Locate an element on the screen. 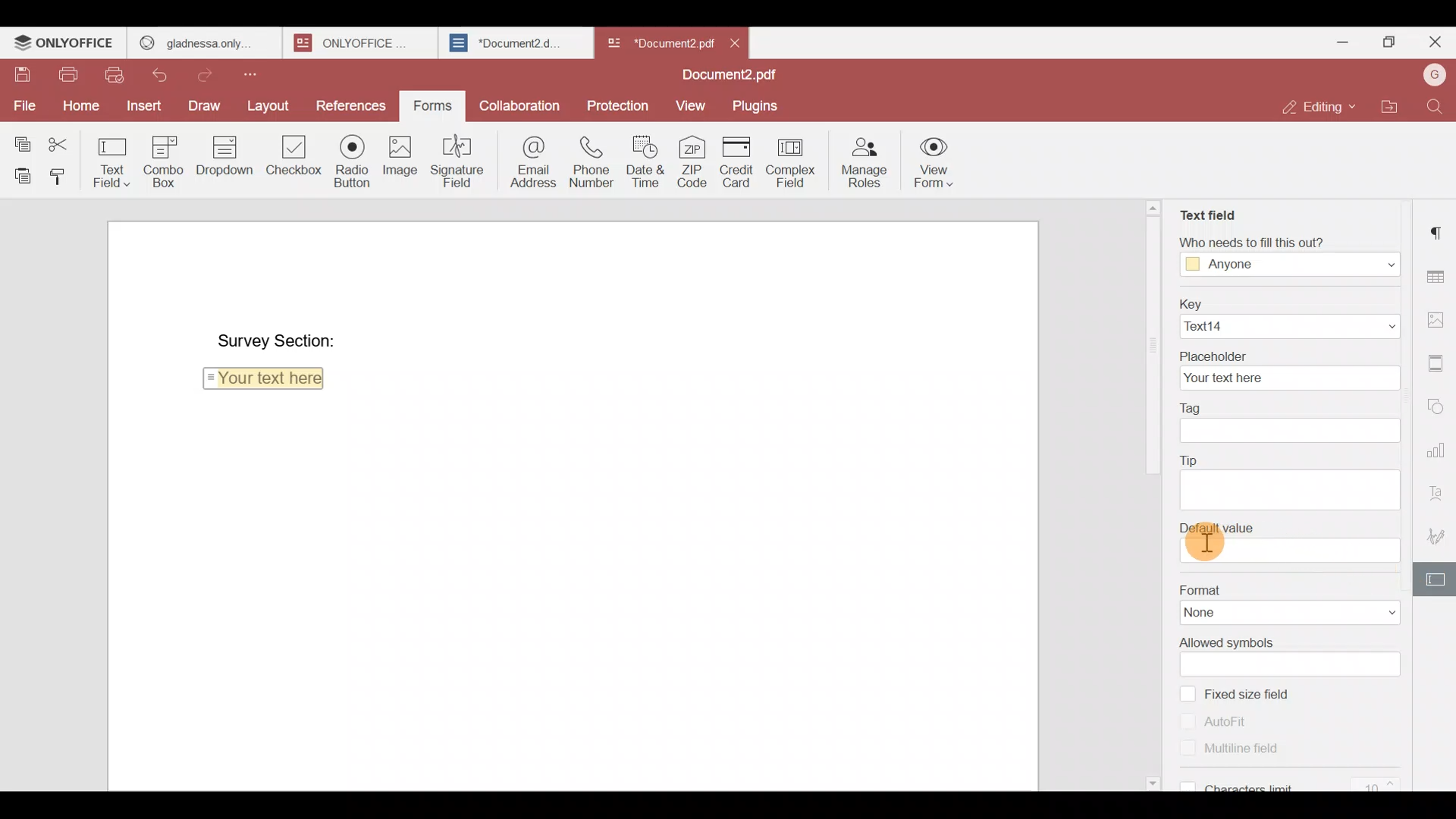 This screenshot has height=819, width=1456. GLADNESS ONLY is located at coordinates (199, 39).